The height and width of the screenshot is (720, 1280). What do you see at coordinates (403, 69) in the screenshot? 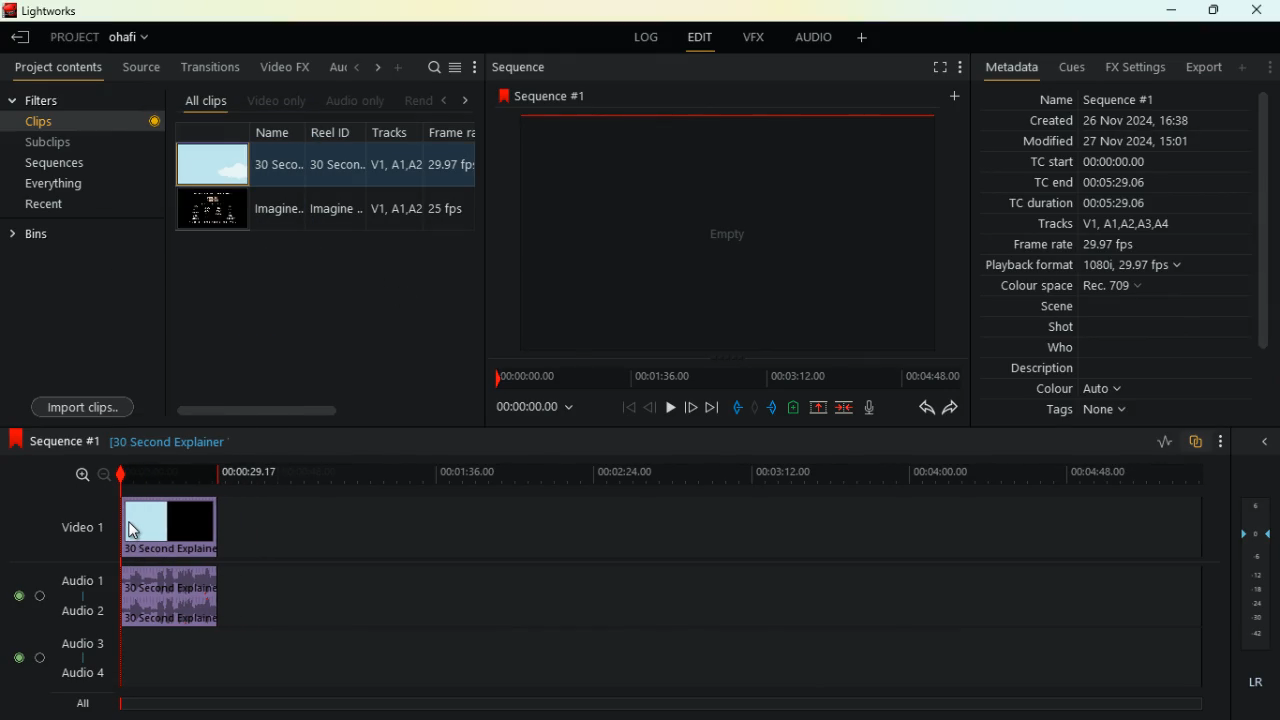
I see `more` at bounding box center [403, 69].